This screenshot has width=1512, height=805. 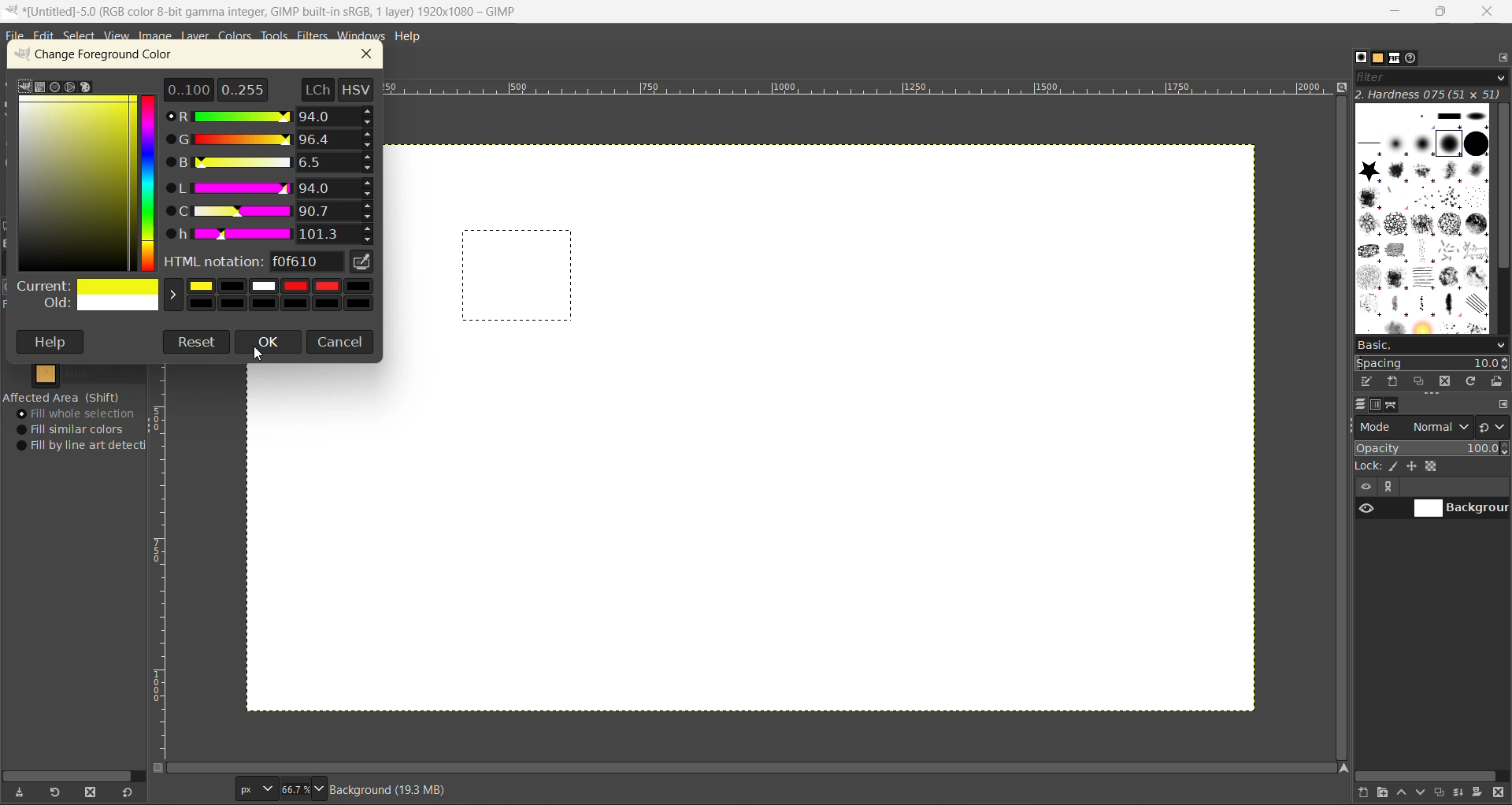 What do you see at coordinates (1502, 406) in the screenshot?
I see `configure` at bounding box center [1502, 406].